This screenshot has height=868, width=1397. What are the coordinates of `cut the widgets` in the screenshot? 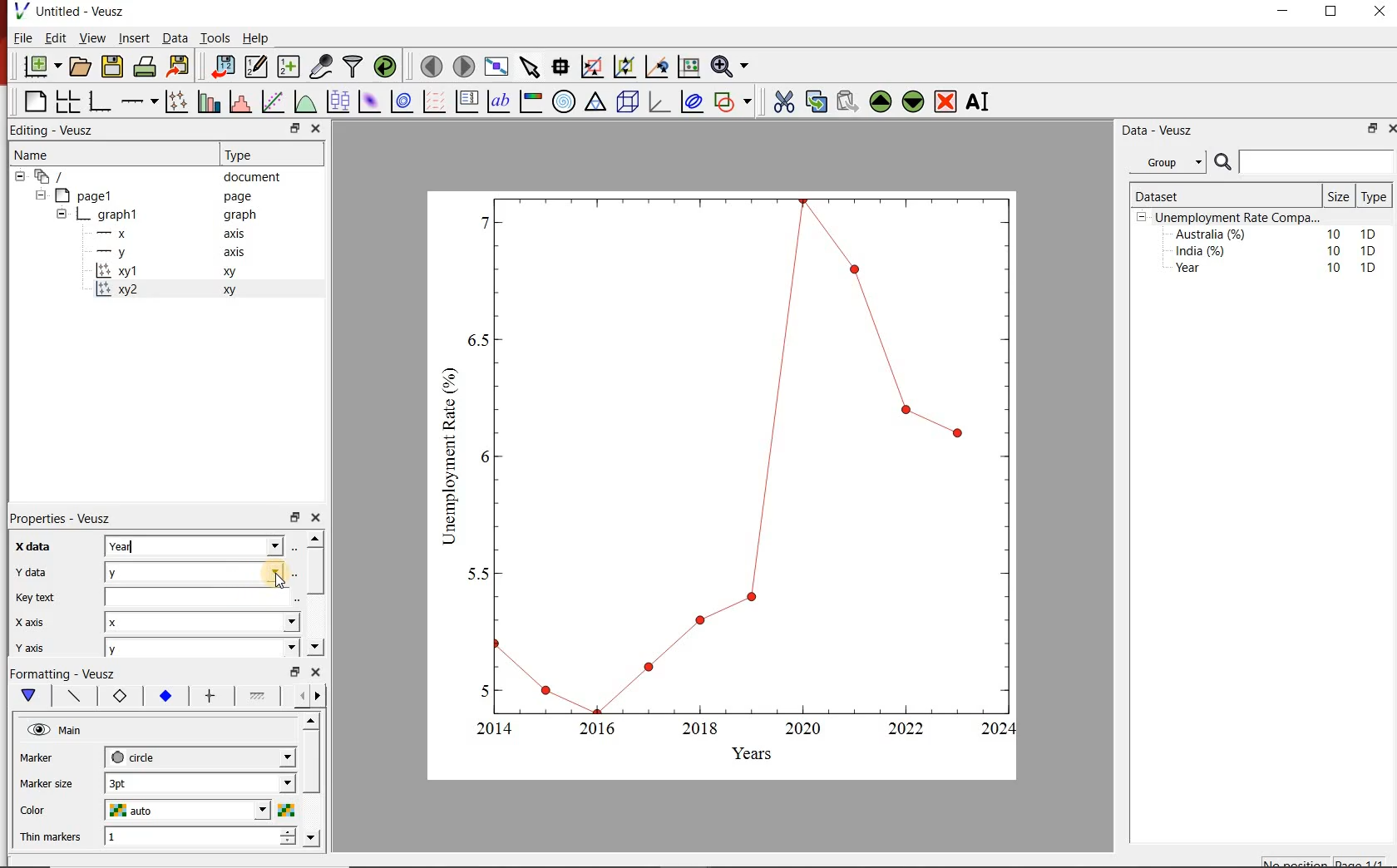 It's located at (784, 101).